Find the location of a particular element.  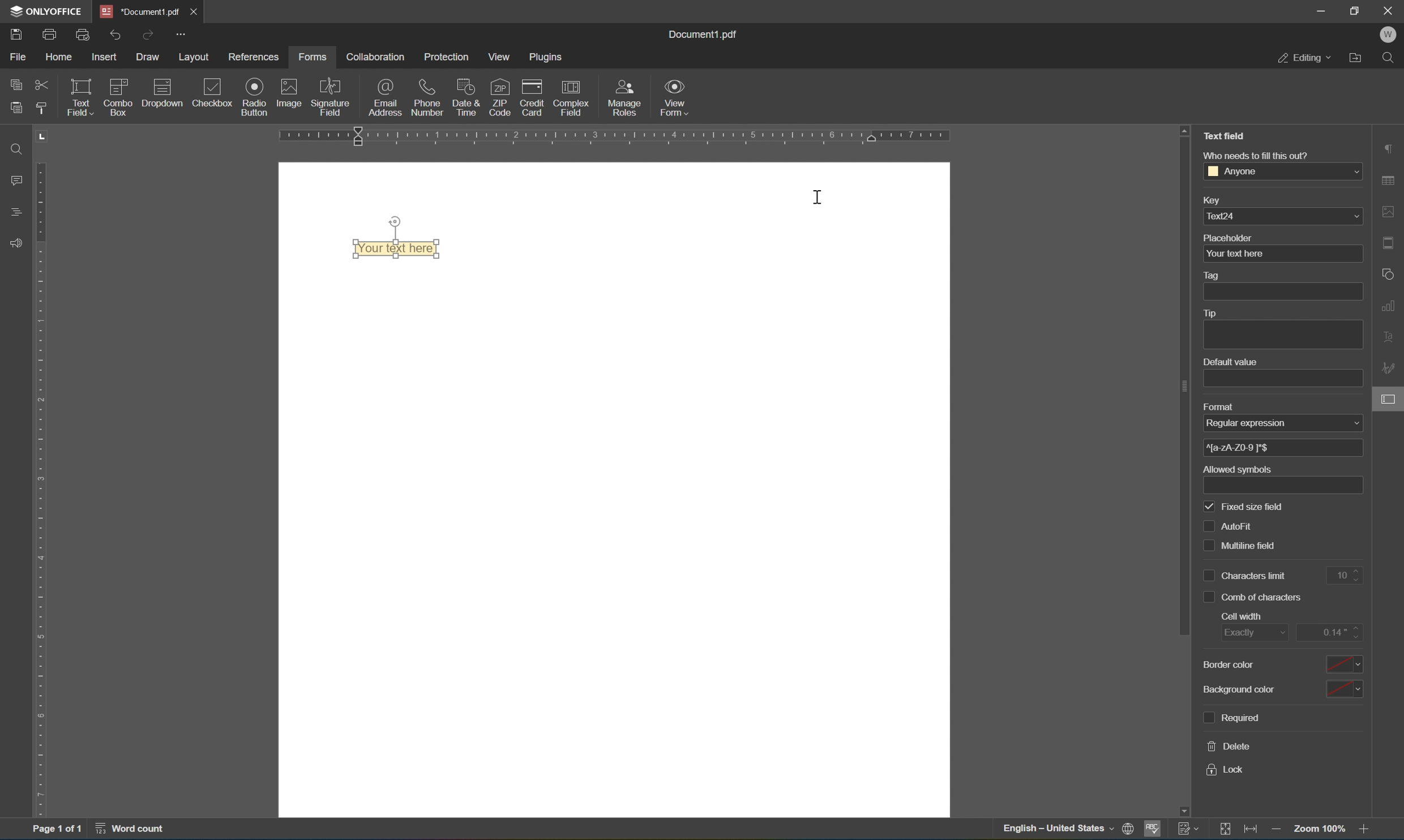

plugins is located at coordinates (547, 57).